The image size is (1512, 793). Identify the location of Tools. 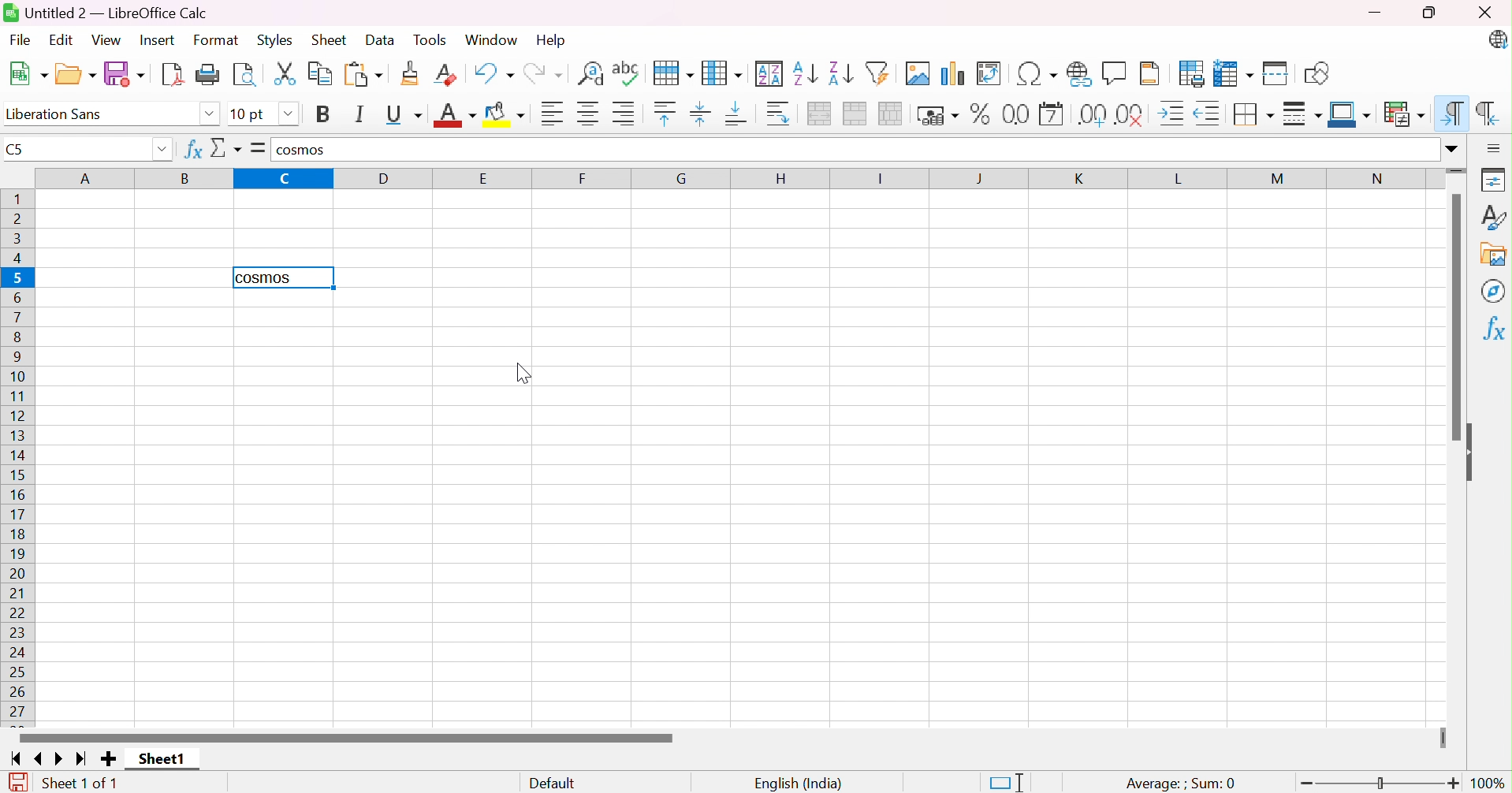
(435, 38).